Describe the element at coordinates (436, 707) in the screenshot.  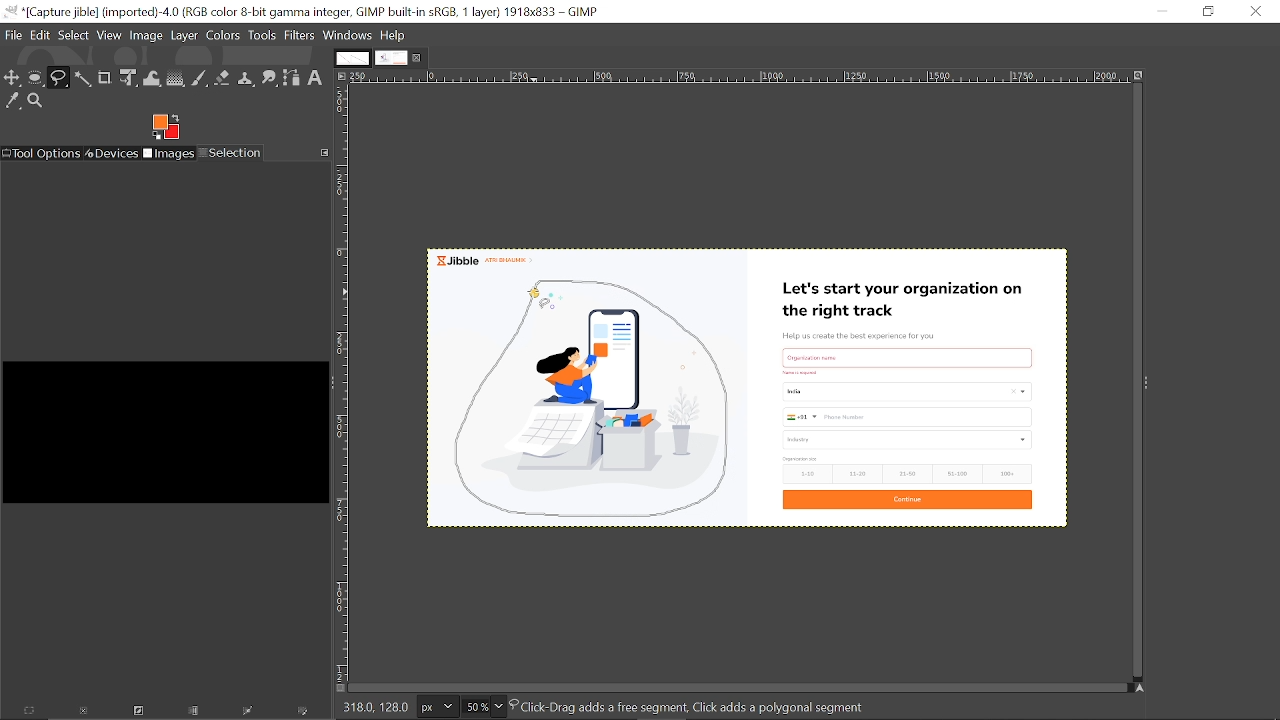
I see `Current image units` at that location.